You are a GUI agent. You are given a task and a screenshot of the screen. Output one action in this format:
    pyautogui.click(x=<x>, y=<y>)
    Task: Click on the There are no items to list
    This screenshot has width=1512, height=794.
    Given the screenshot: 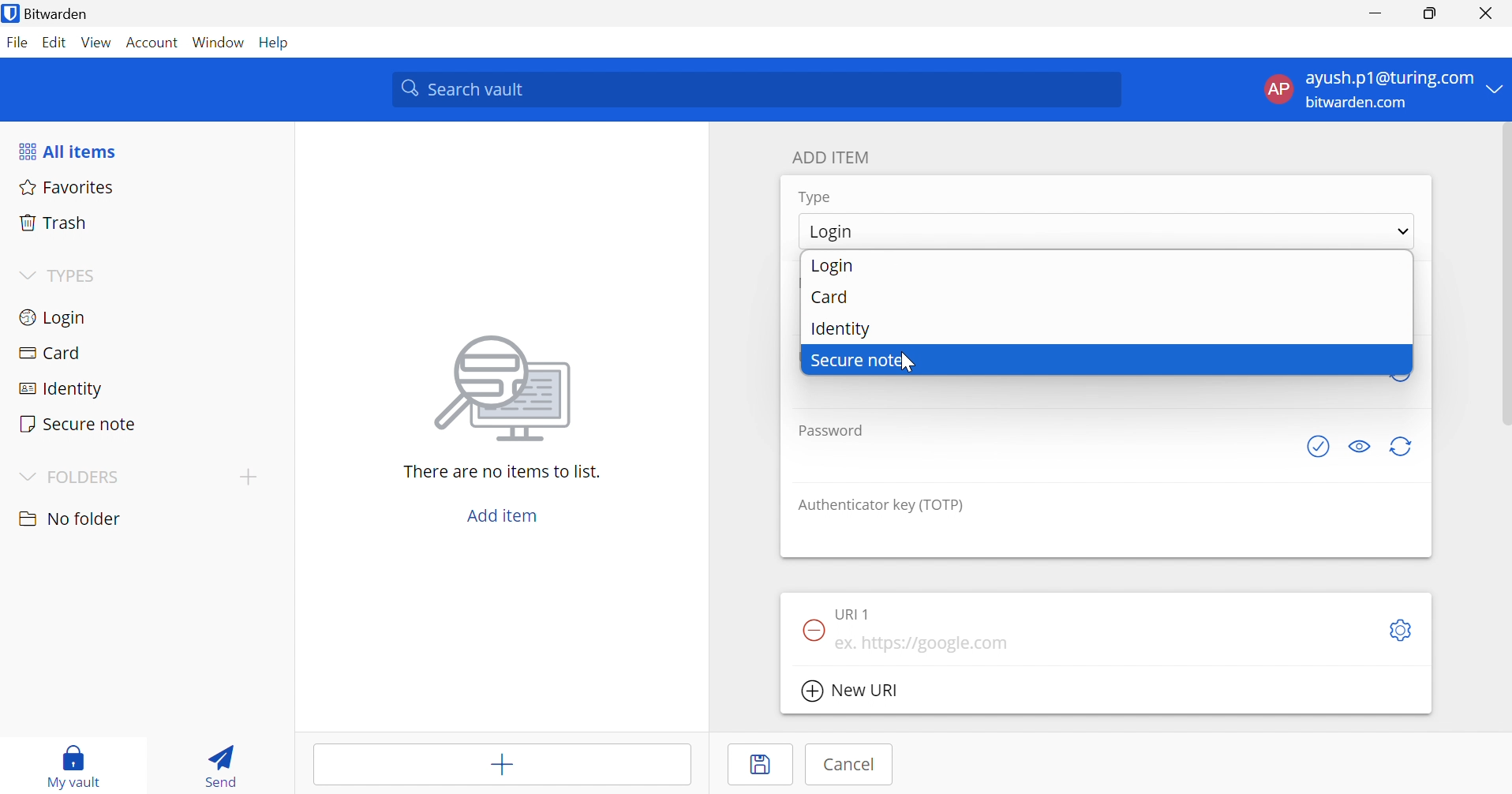 What is the action you would take?
    pyautogui.click(x=501, y=472)
    